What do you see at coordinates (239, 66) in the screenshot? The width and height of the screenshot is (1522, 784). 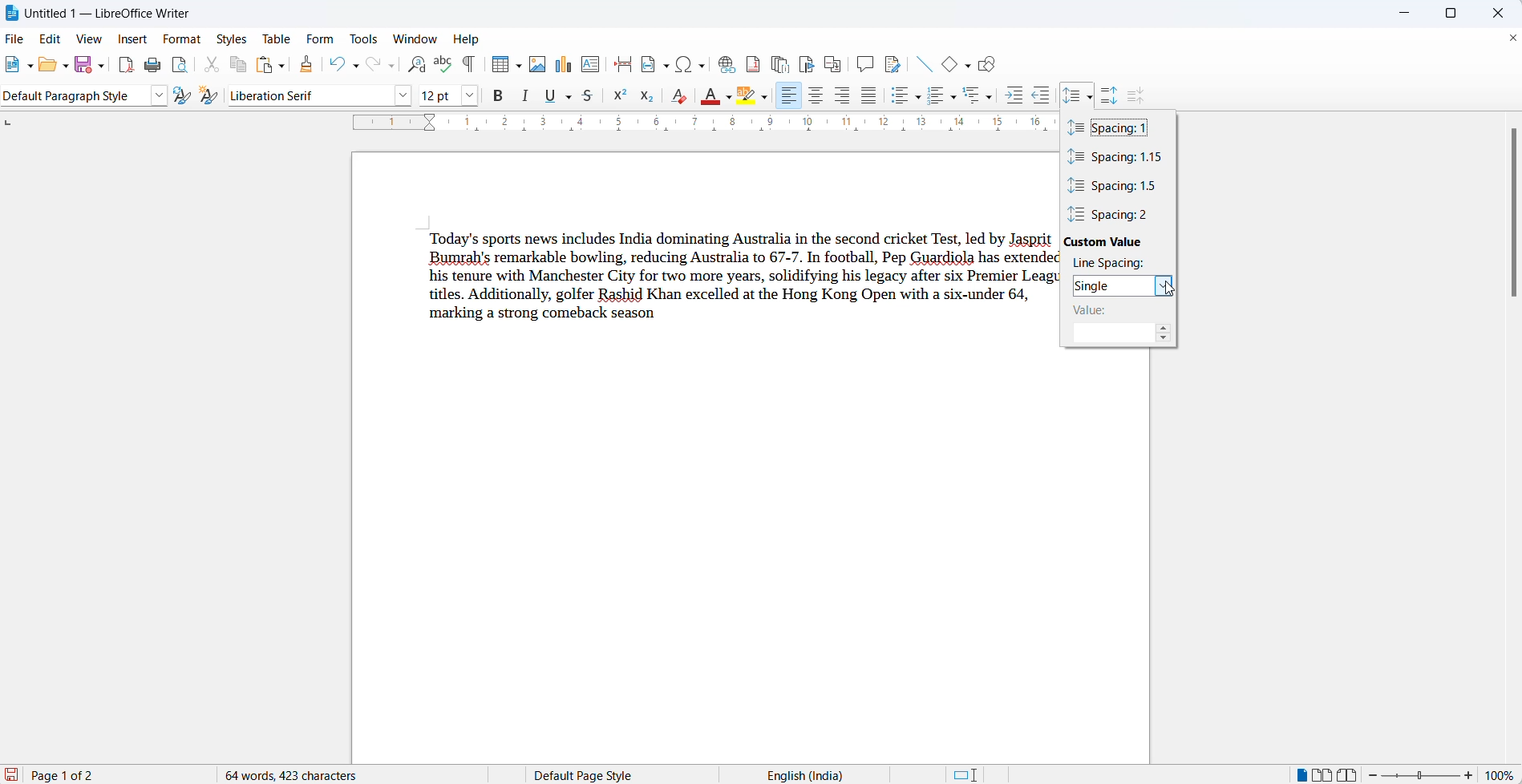 I see `copy` at bounding box center [239, 66].